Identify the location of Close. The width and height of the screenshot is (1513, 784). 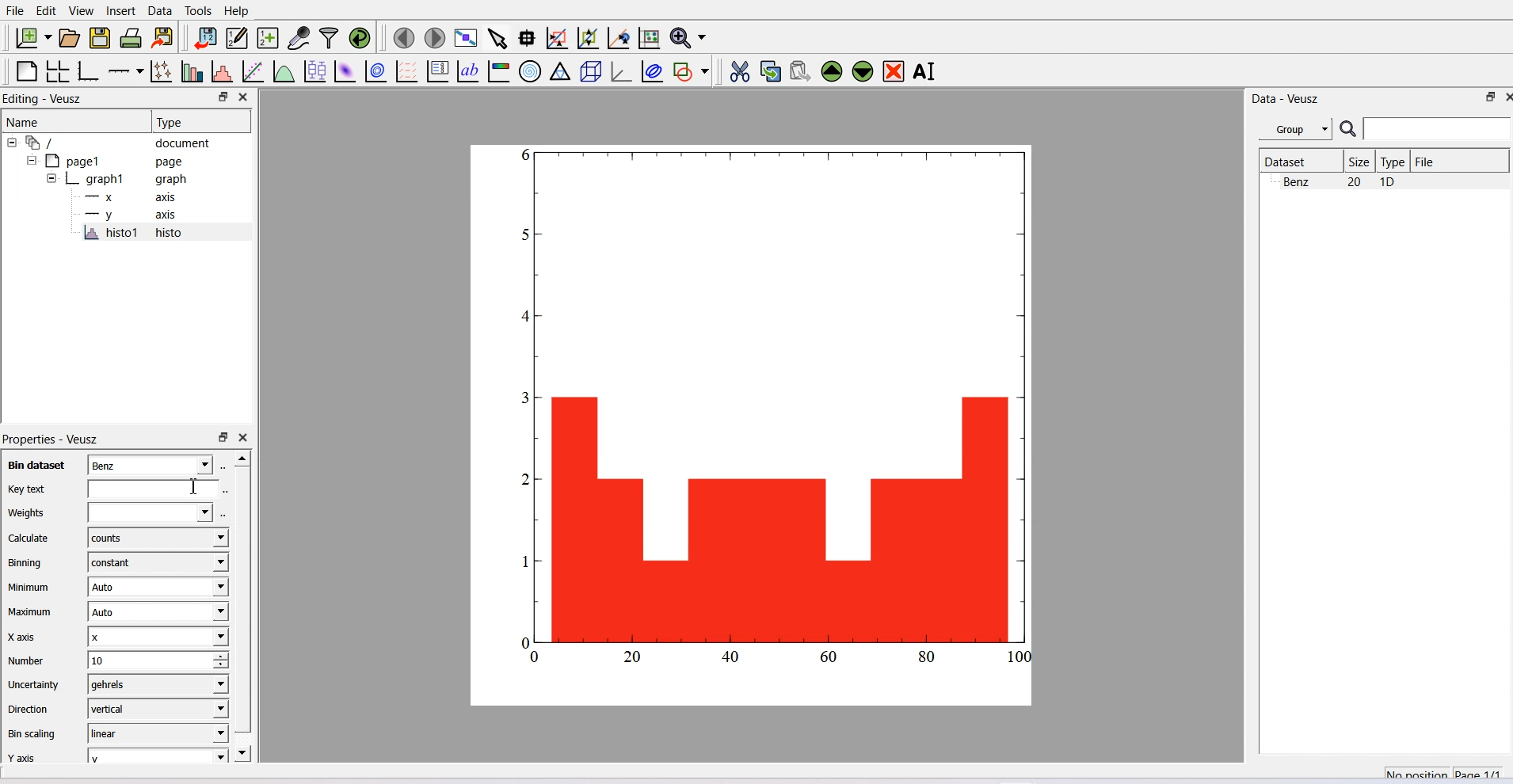
(1493, 97).